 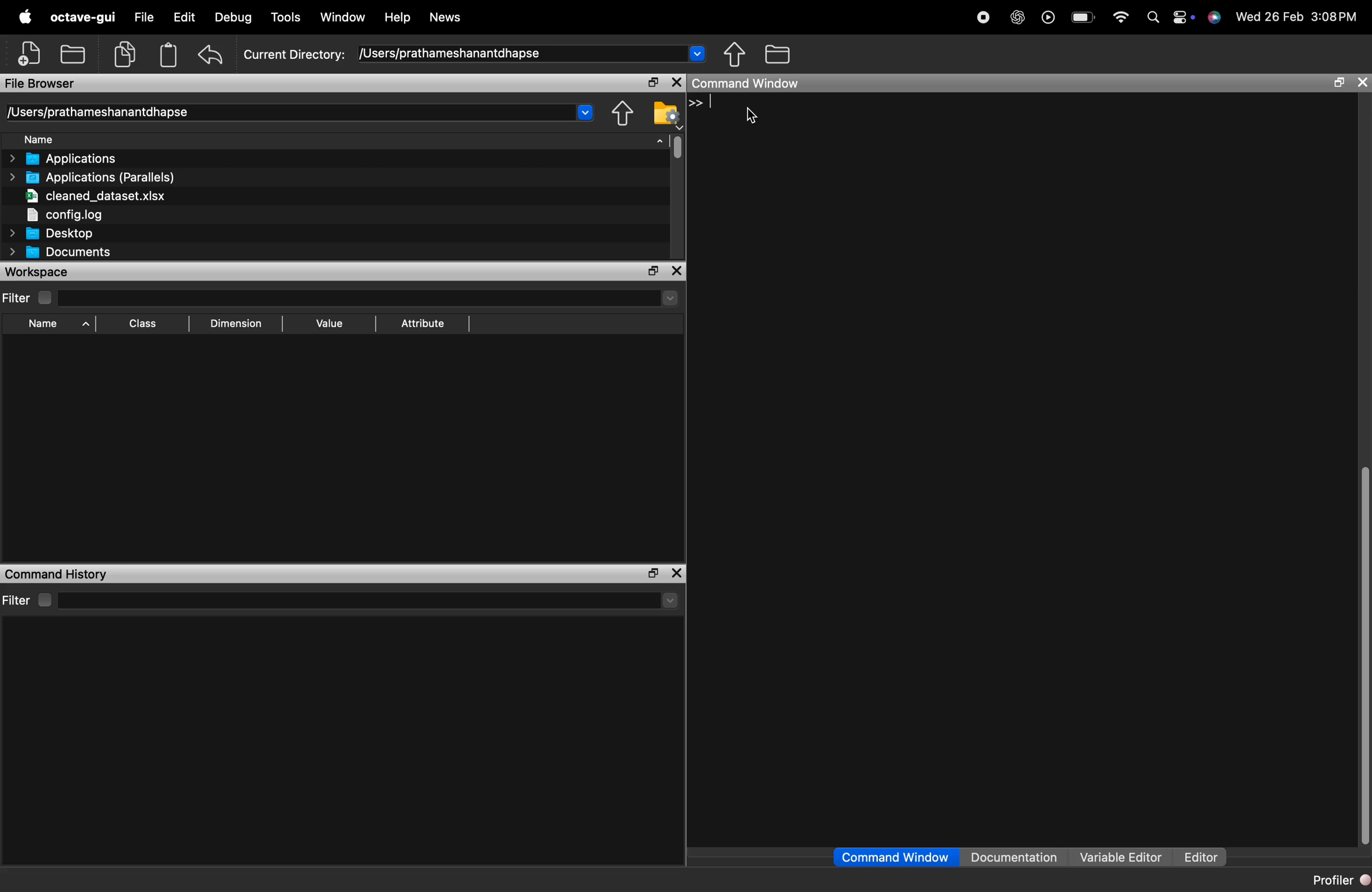 I want to click on chat gpt, so click(x=1018, y=18).